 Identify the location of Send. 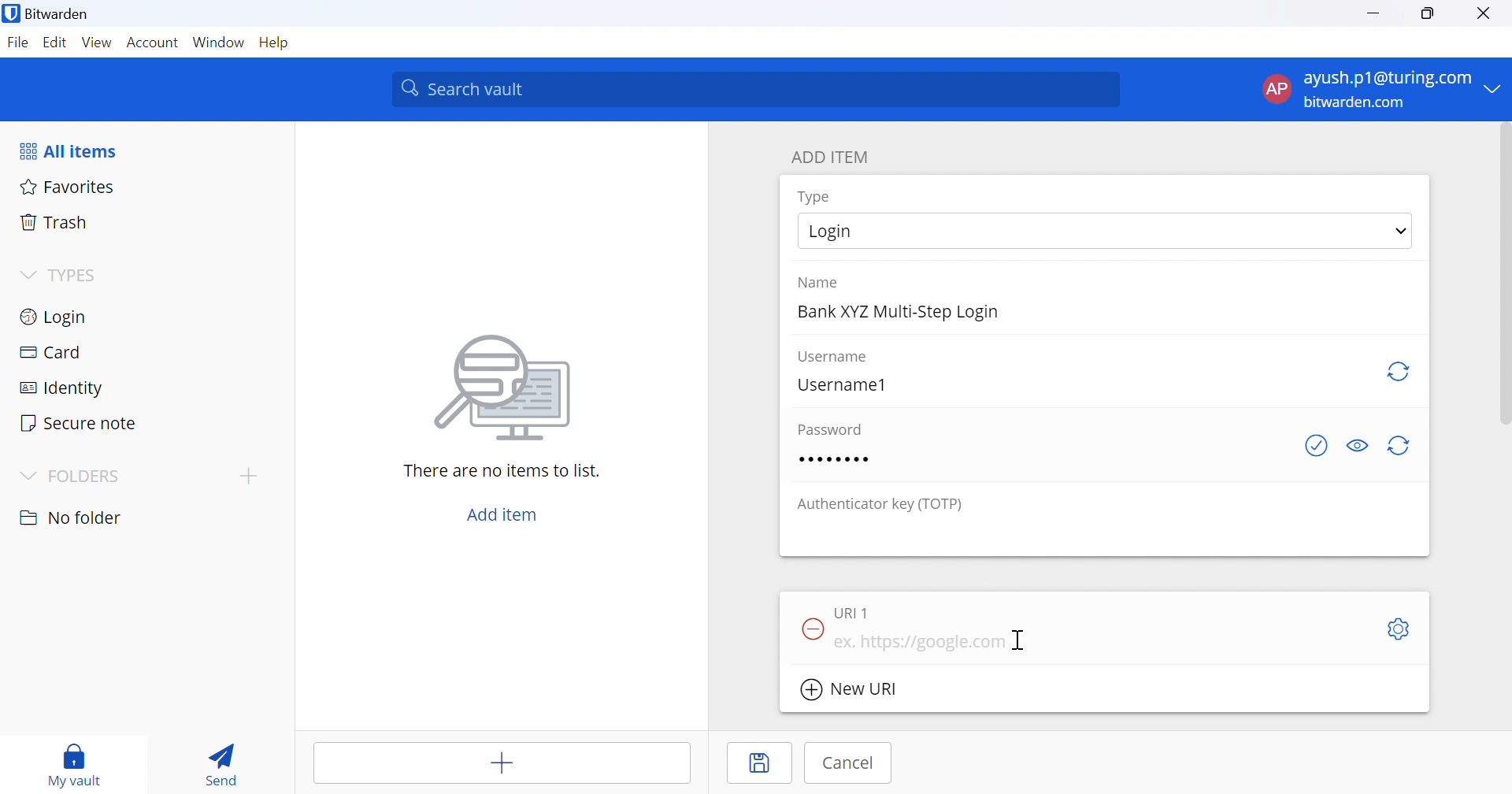
(224, 760).